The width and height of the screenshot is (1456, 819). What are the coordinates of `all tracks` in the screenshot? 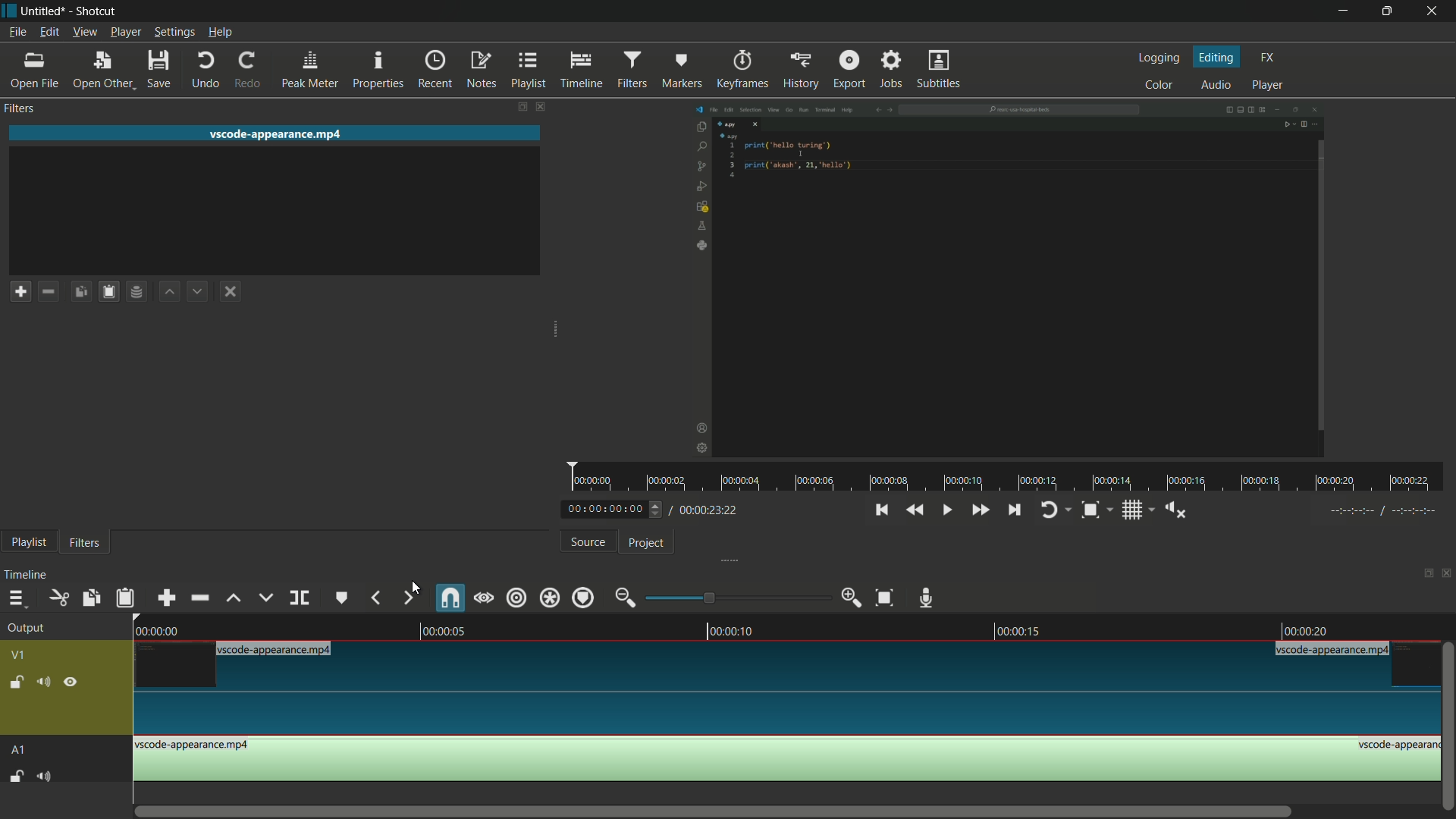 It's located at (551, 598).